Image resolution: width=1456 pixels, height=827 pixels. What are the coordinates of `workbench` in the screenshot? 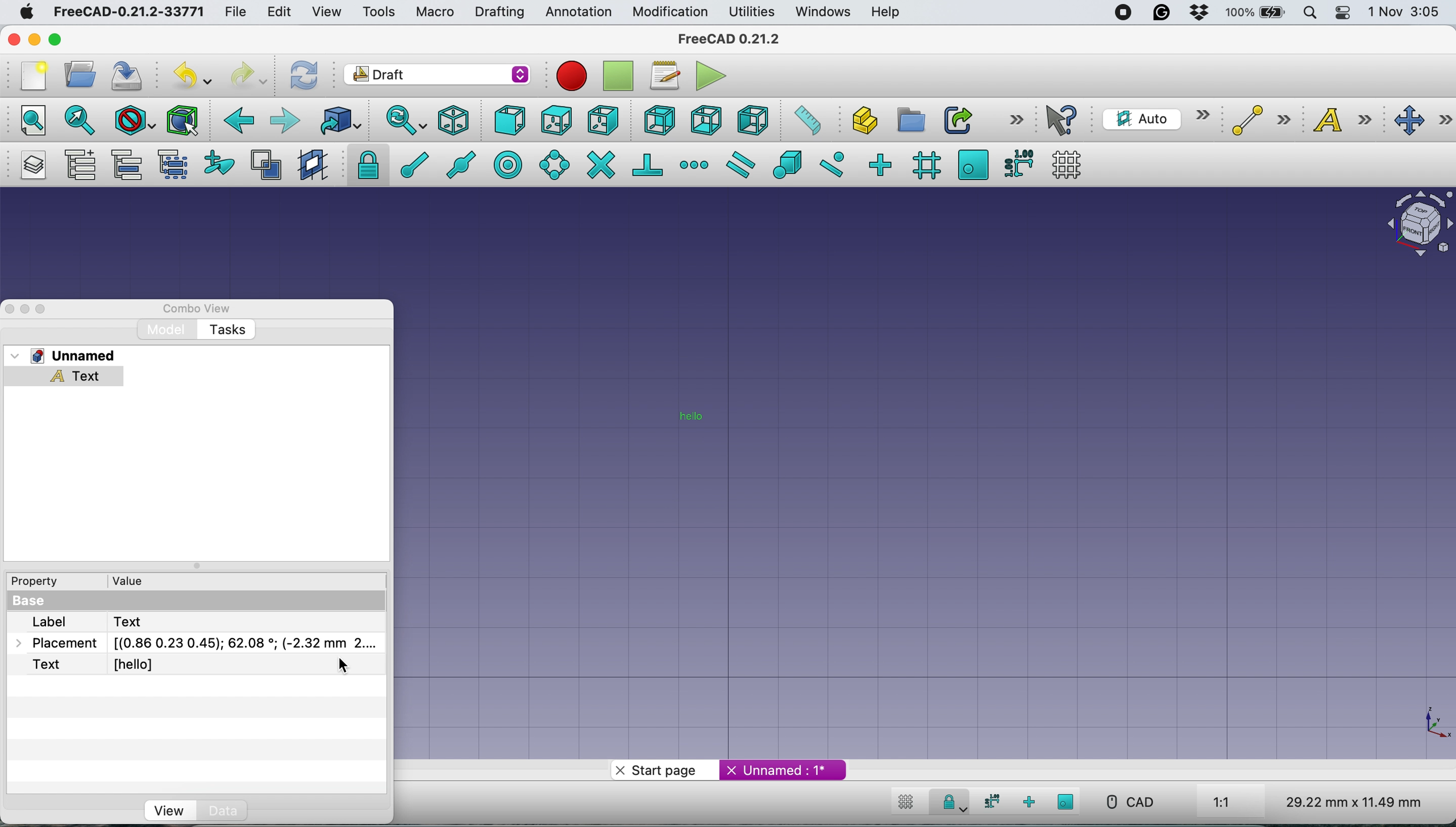 It's located at (436, 74).